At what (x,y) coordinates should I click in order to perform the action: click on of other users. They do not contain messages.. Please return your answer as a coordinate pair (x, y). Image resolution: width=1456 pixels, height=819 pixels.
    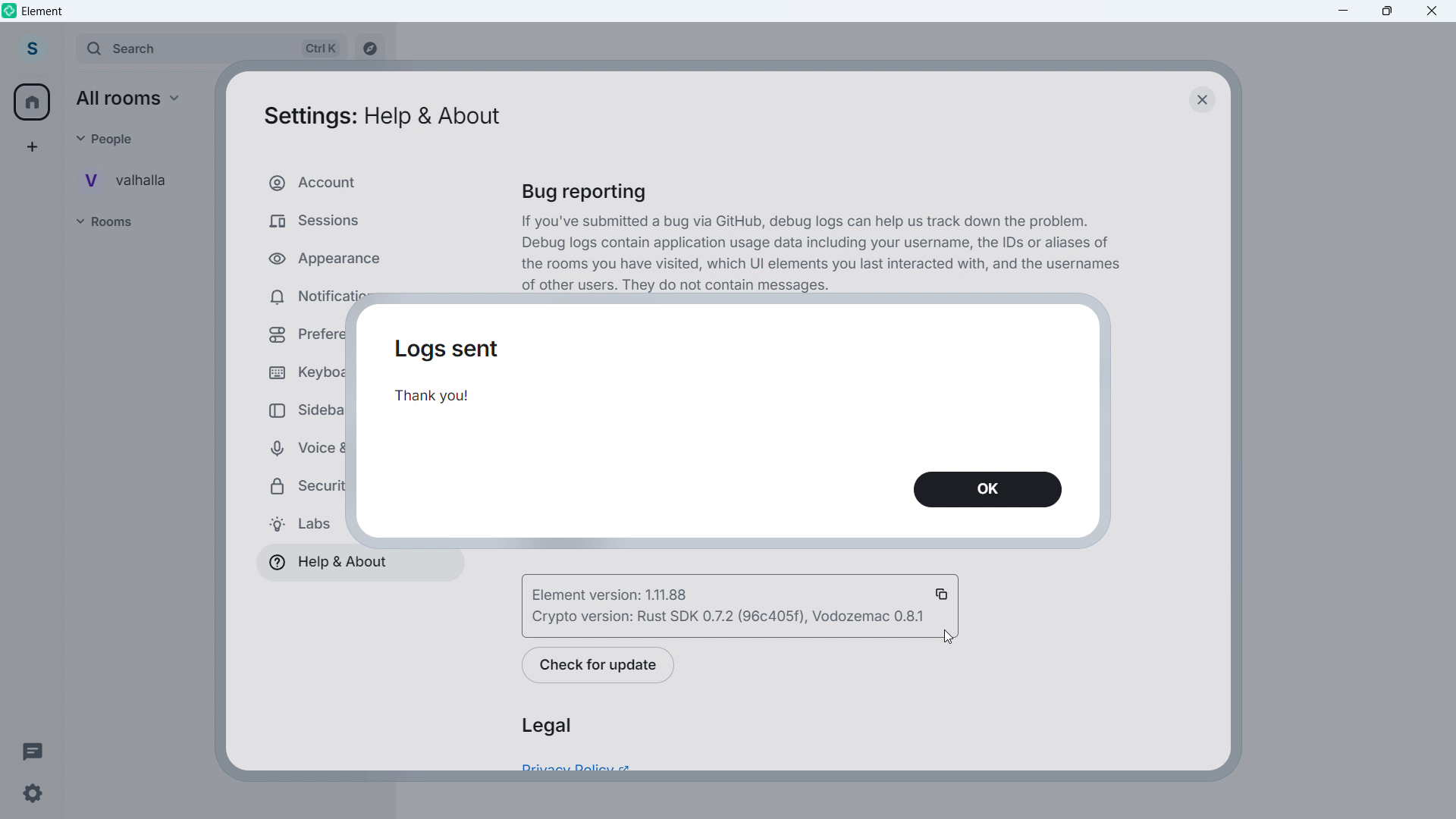
    Looking at the image, I should click on (679, 286).